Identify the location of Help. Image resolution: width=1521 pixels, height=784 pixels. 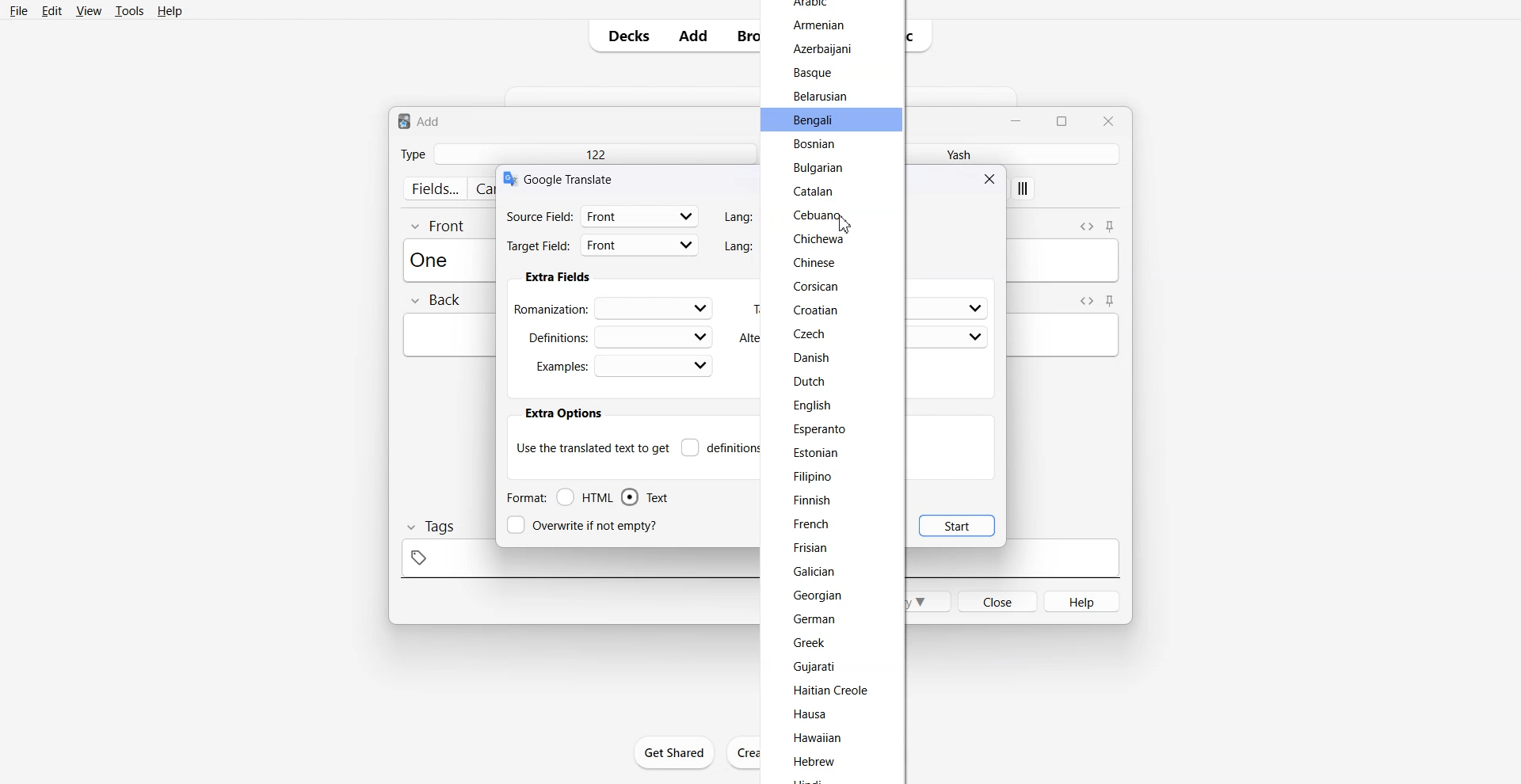
(170, 10).